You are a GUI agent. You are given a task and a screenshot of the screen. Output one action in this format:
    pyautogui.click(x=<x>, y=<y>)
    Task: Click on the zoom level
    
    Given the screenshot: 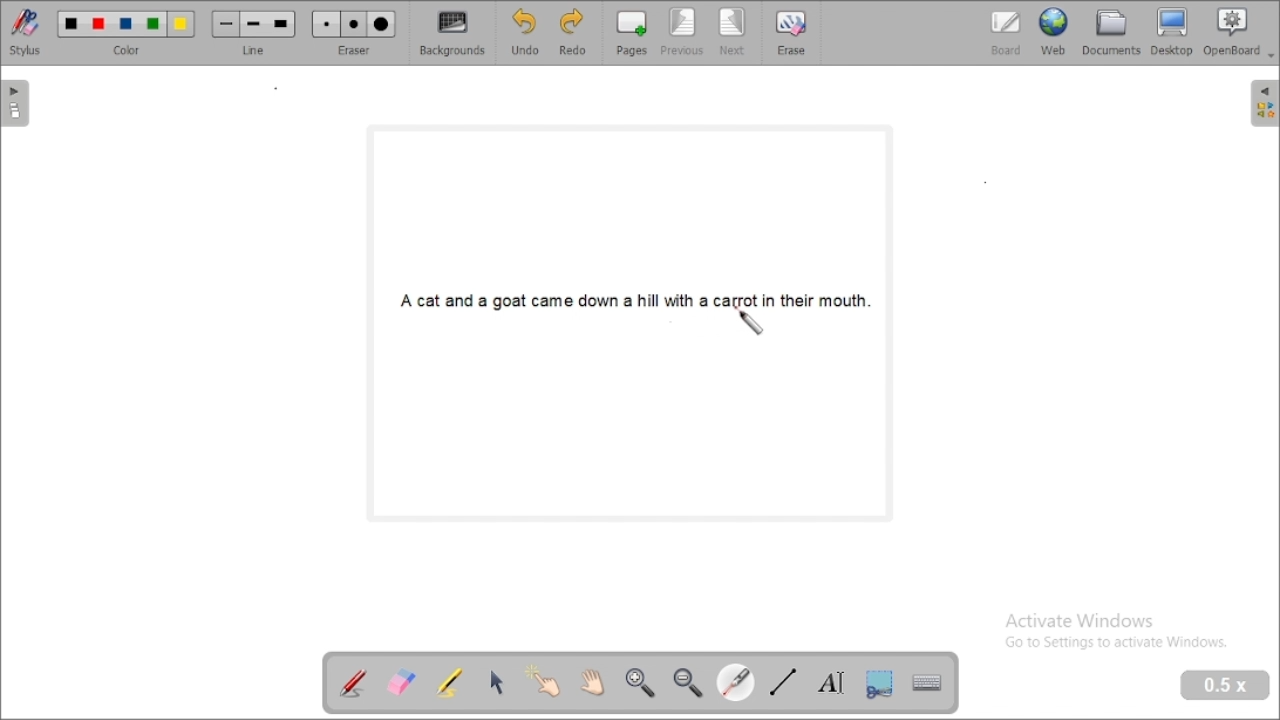 What is the action you would take?
    pyautogui.click(x=1226, y=686)
    